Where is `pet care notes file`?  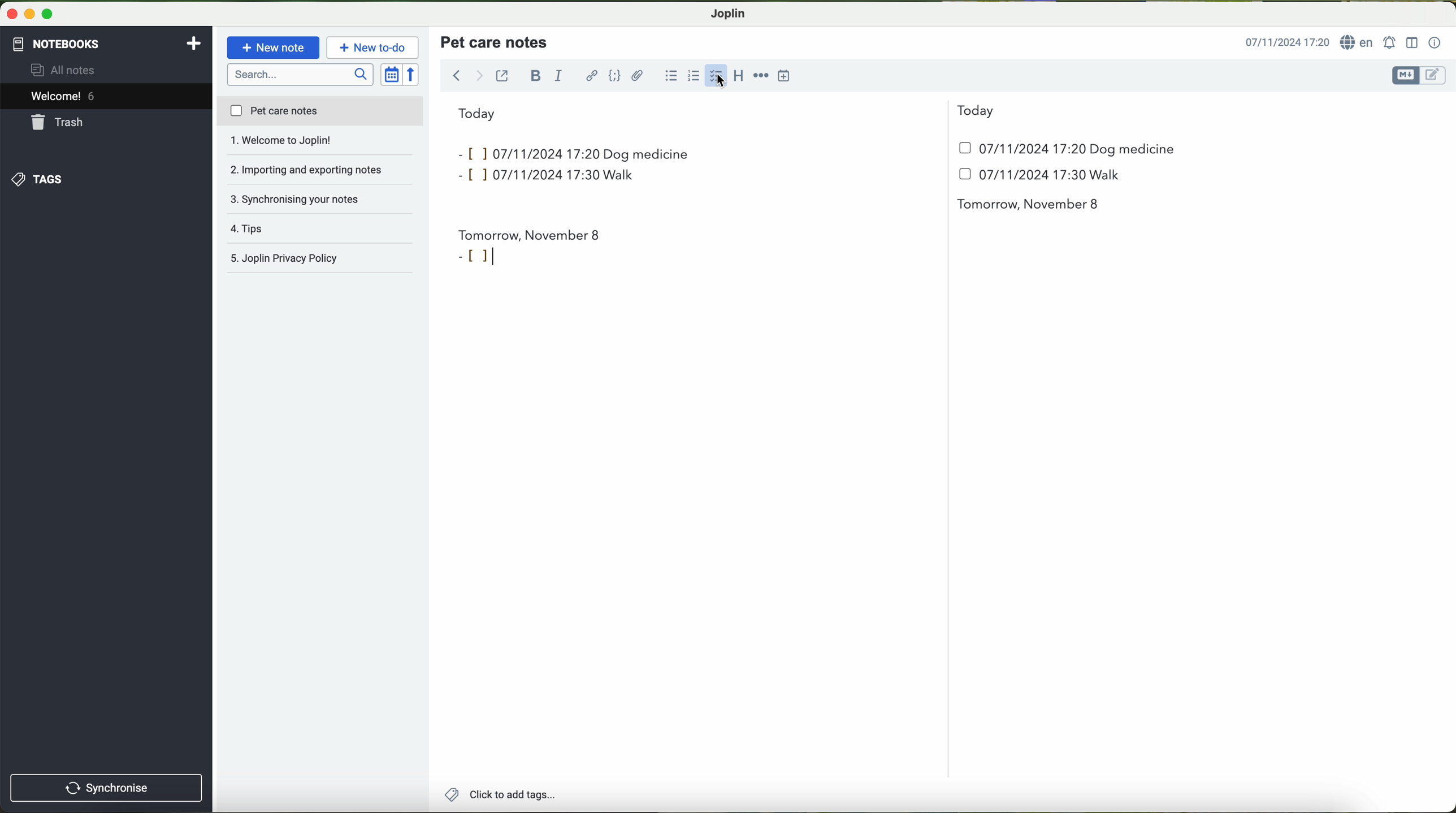
pet care notes file is located at coordinates (319, 112).